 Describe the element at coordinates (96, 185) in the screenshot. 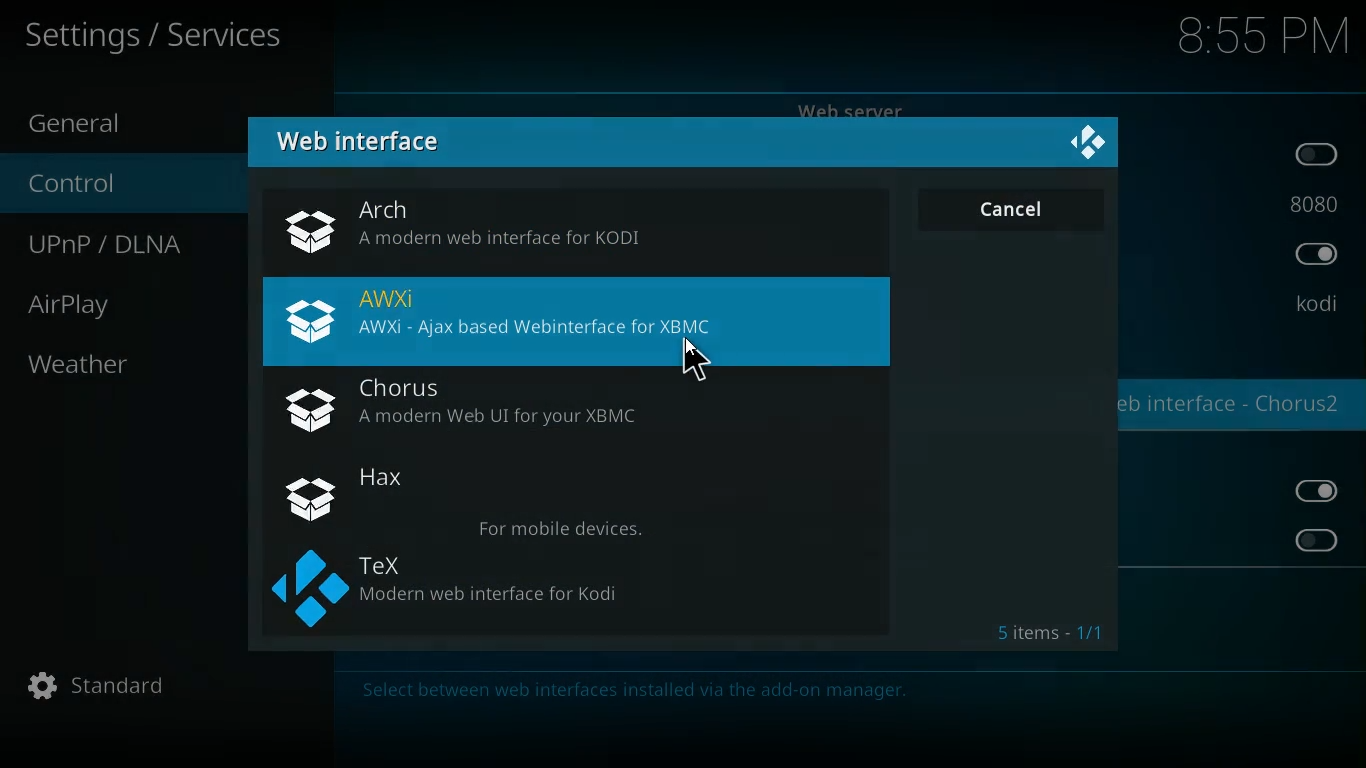

I see `control` at that location.